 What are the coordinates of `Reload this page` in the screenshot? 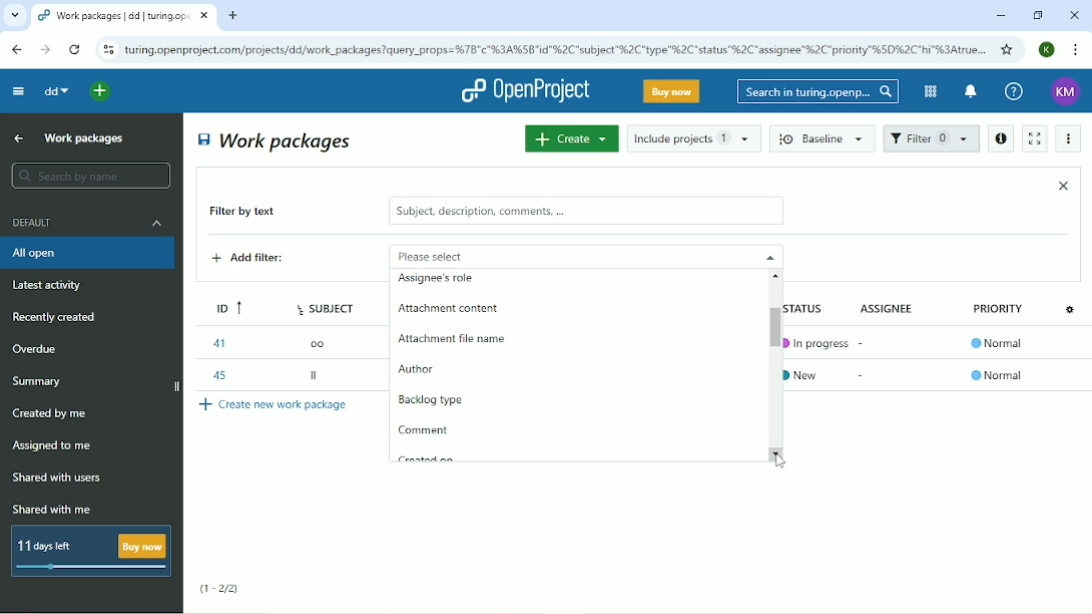 It's located at (74, 49).